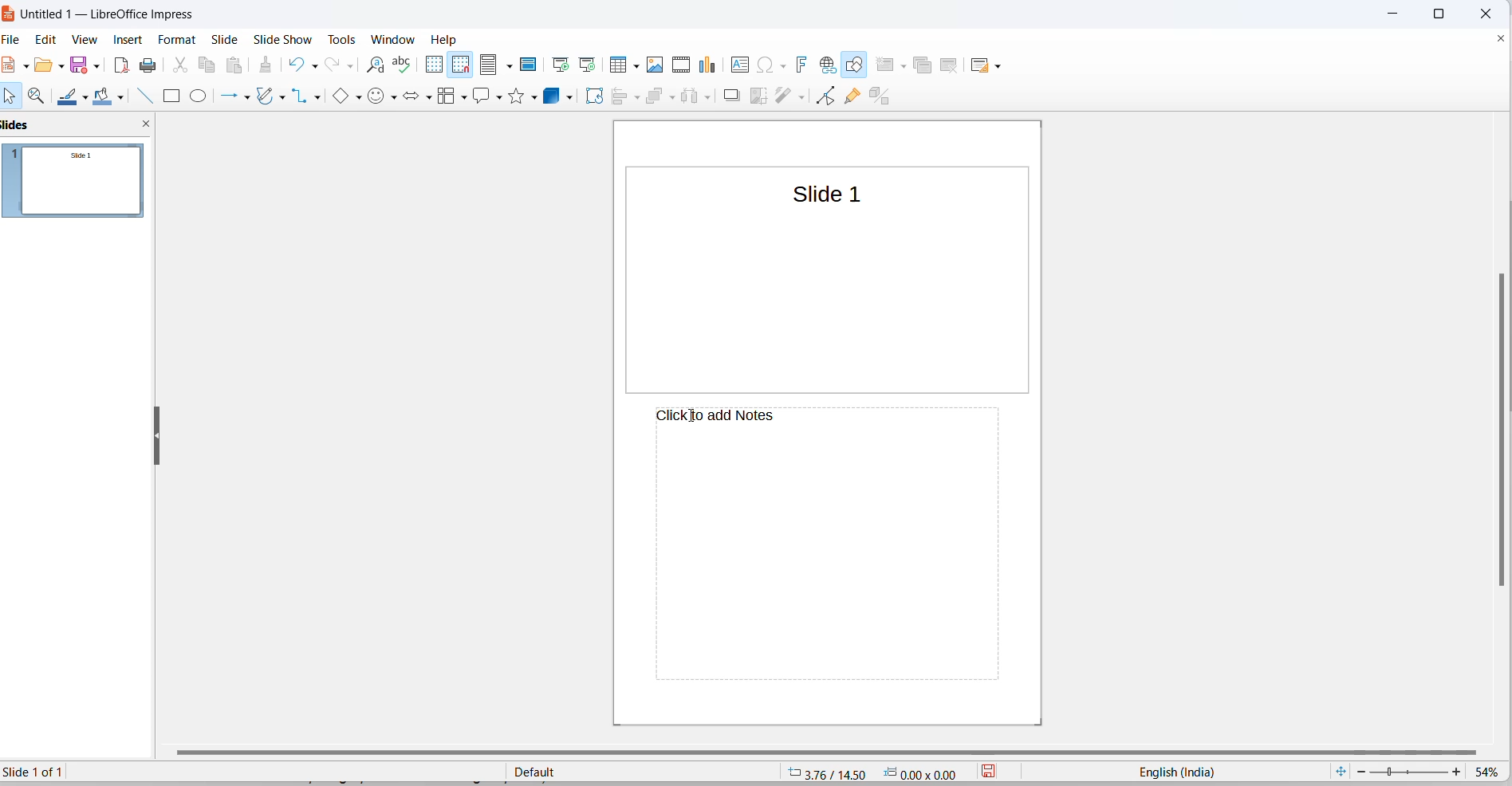 This screenshot has height=786, width=1512. Describe the element at coordinates (208, 65) in the screenshot. I see `copy` at that location.